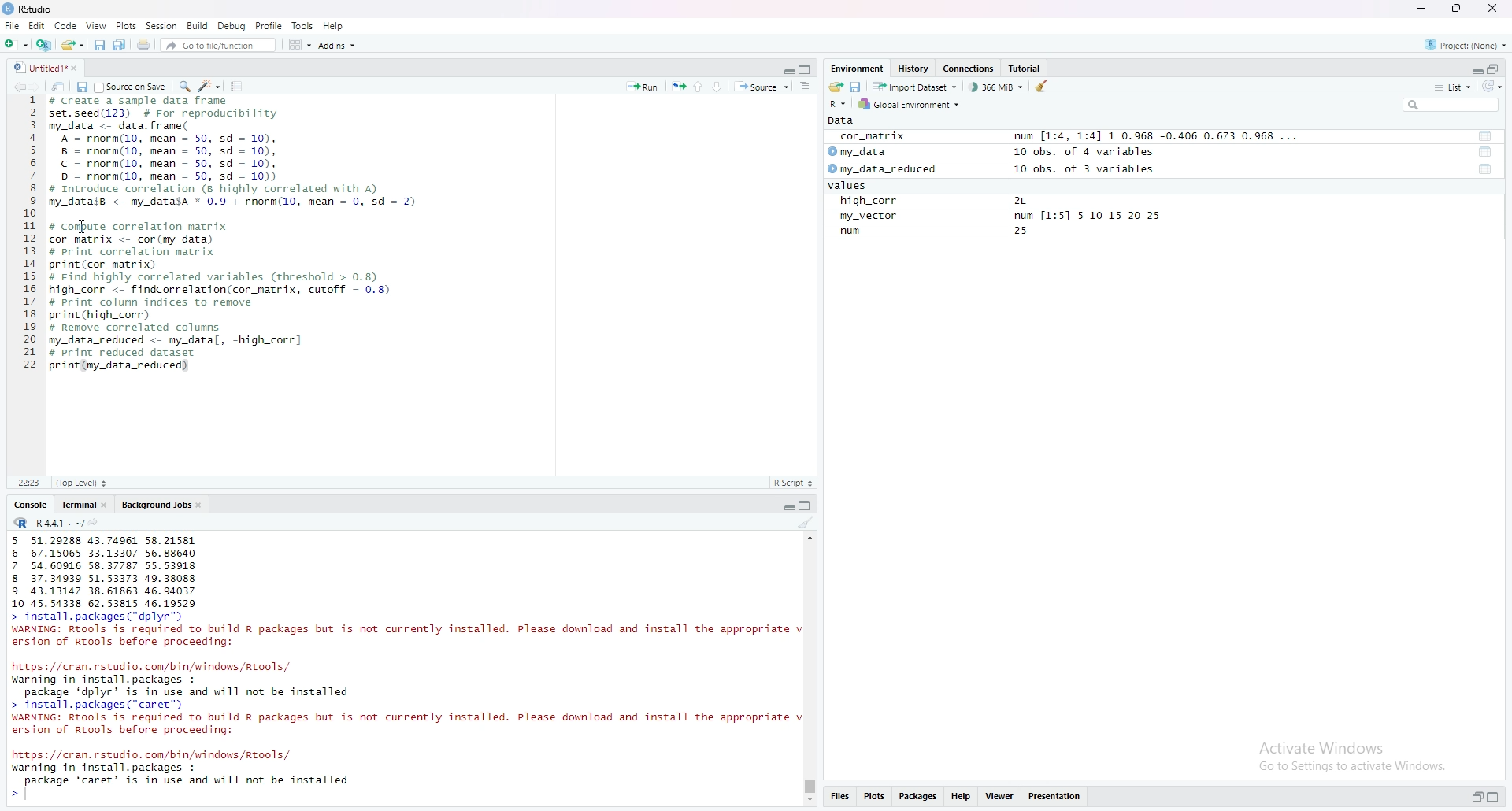 Image resolution: width=1512 pixels, height=811 pixels. Describe the element at coordinates (806, 521) in the screenshot. I see `clean` at that location.